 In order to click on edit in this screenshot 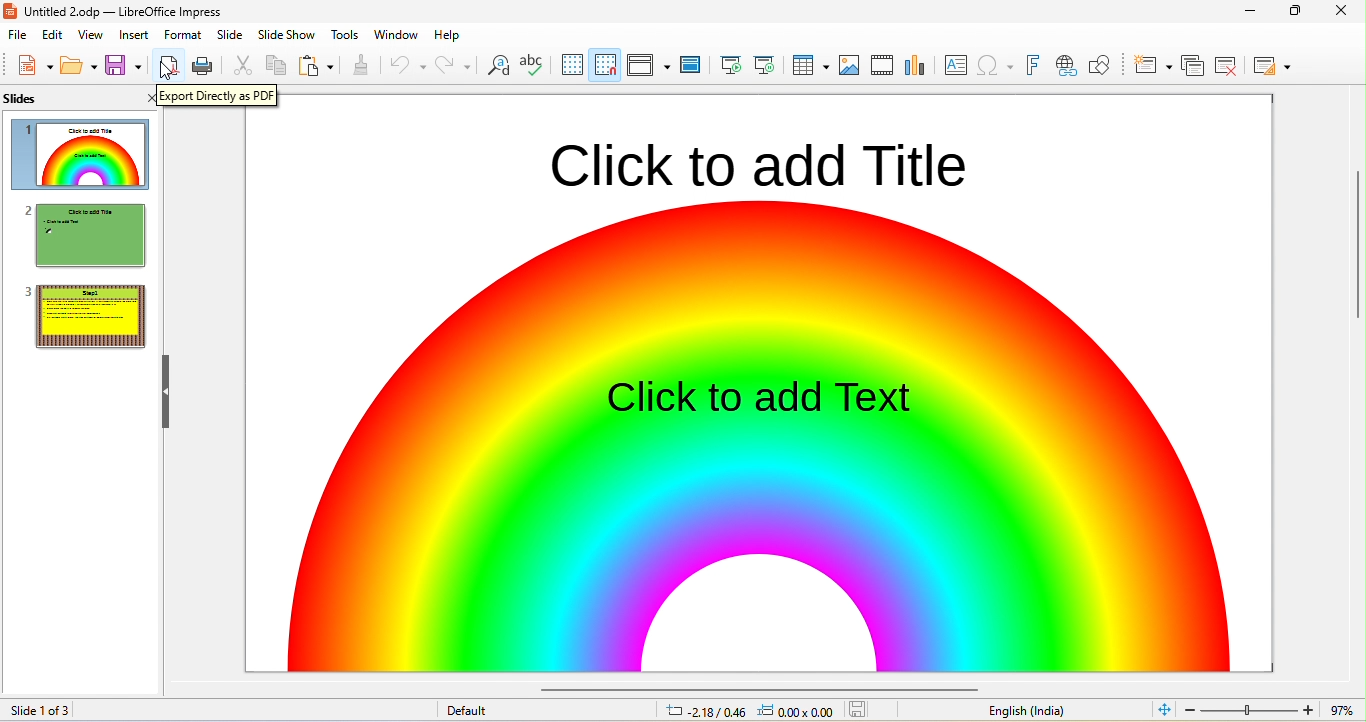, I will do `click(51, 35)`.